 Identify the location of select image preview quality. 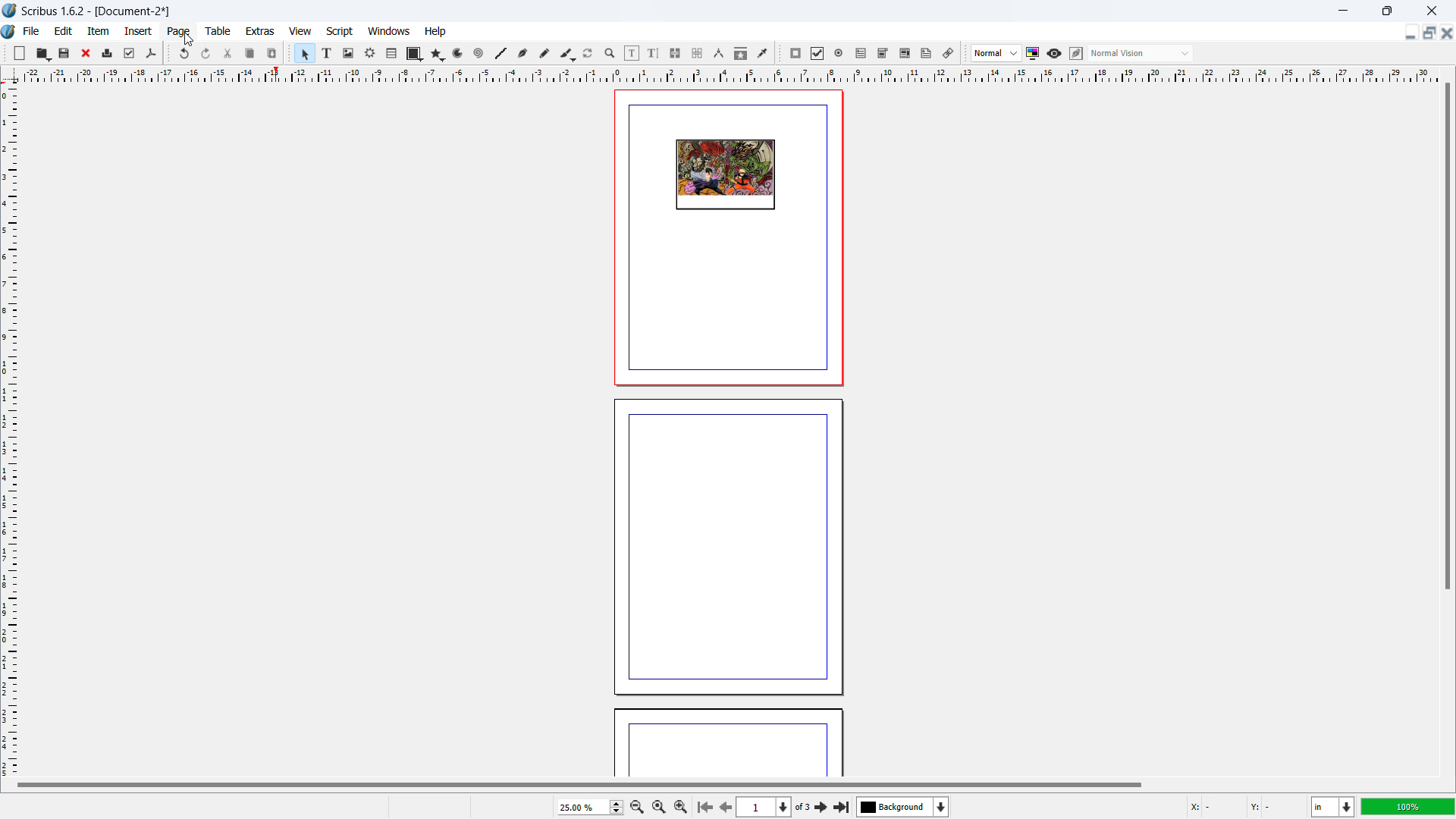
(996, 53).